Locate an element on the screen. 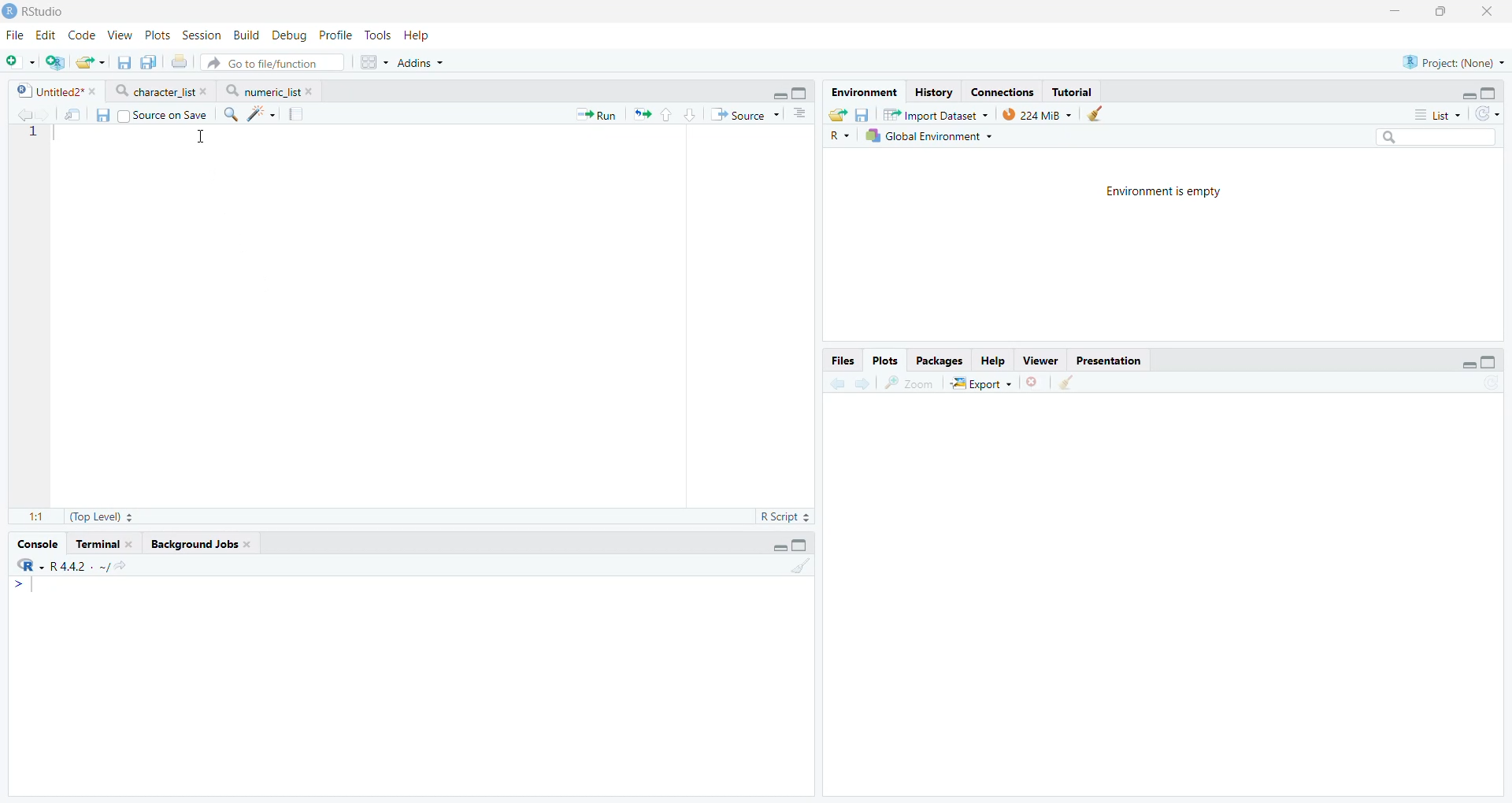 The height and width of the screenshot is (803, 1512). Build is located at coordinates (247, 35).